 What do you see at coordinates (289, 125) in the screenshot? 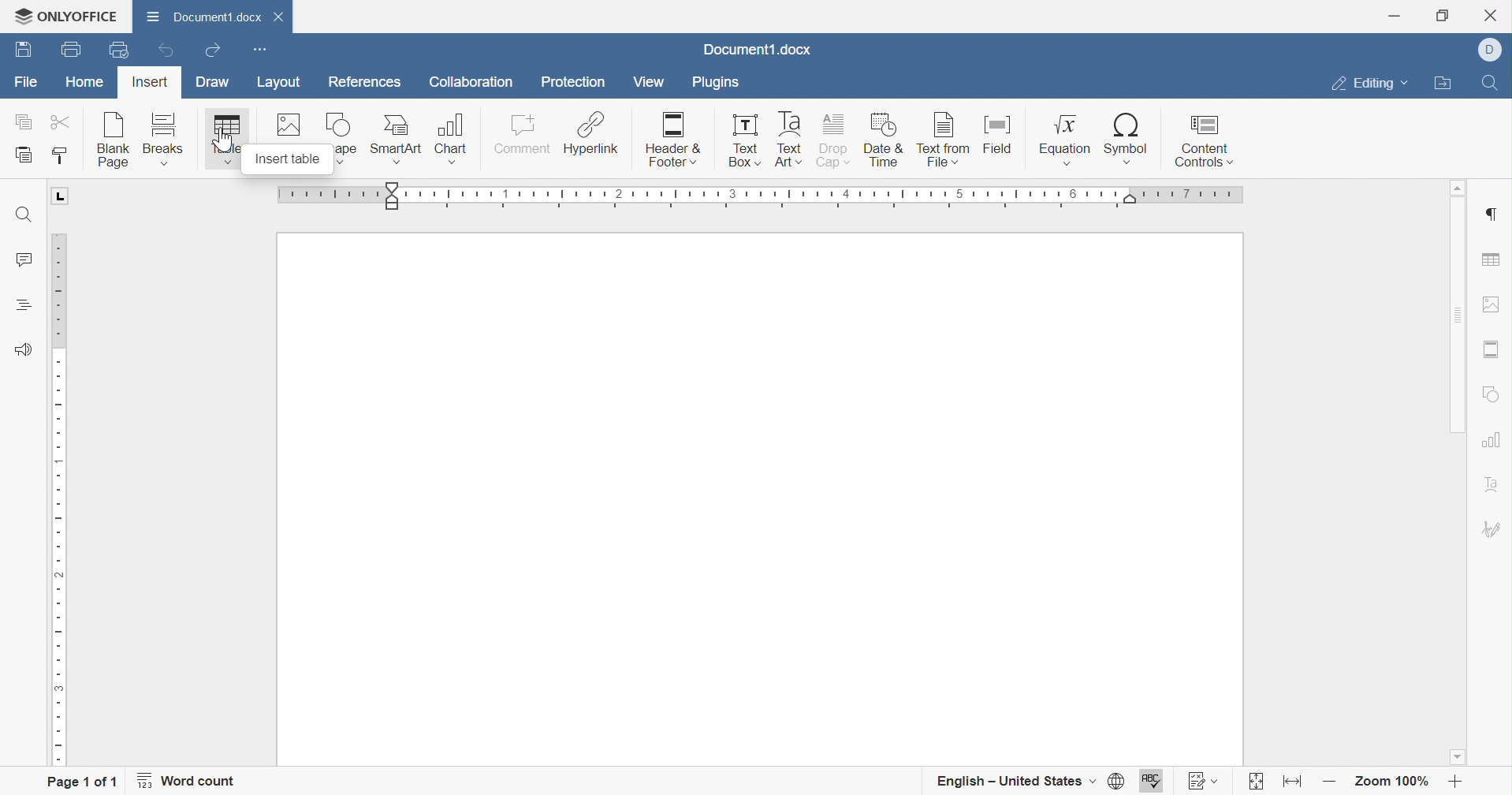
I see `Insert image` at bounding box center [289, 125].